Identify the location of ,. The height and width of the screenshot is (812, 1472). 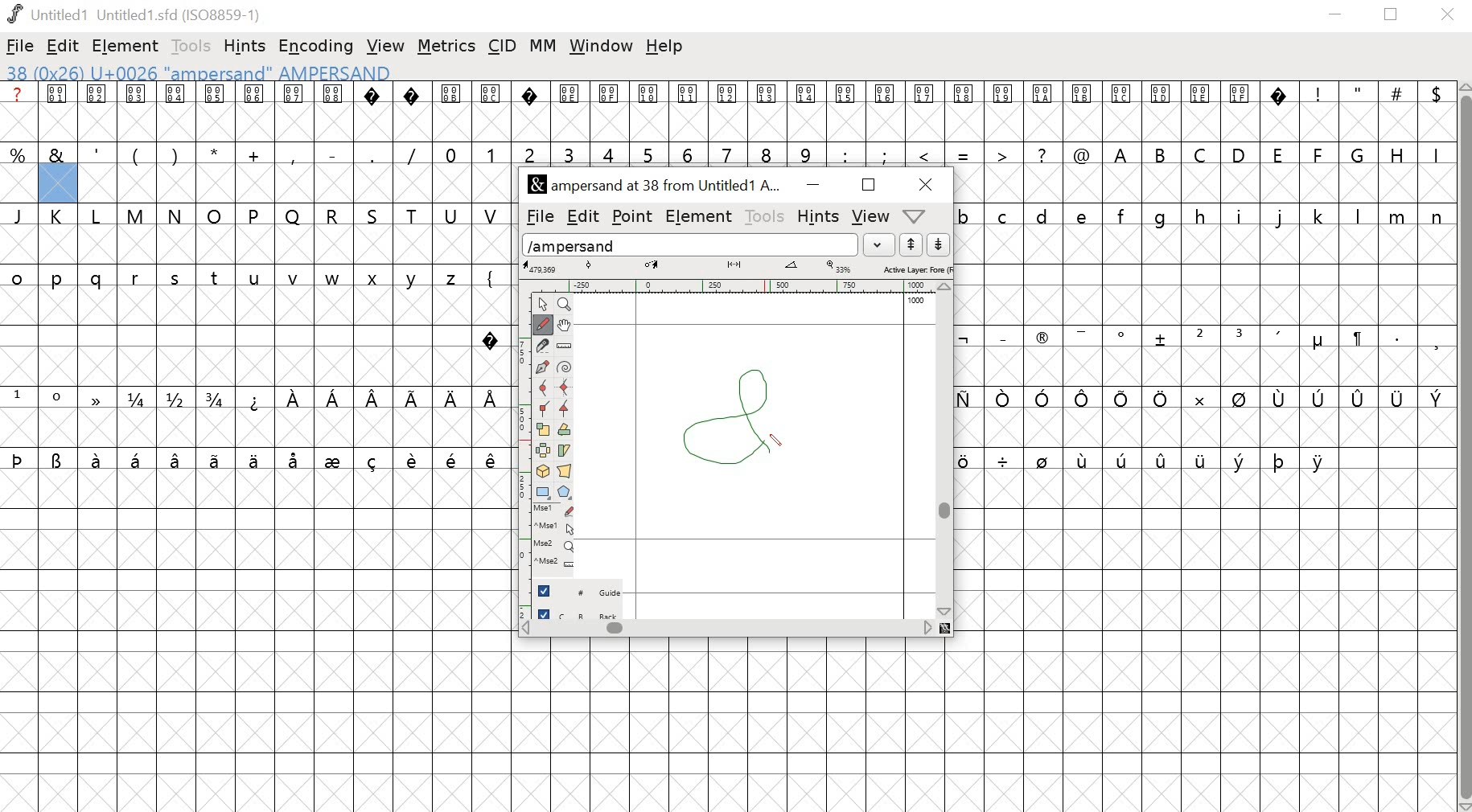
(1436, 342).